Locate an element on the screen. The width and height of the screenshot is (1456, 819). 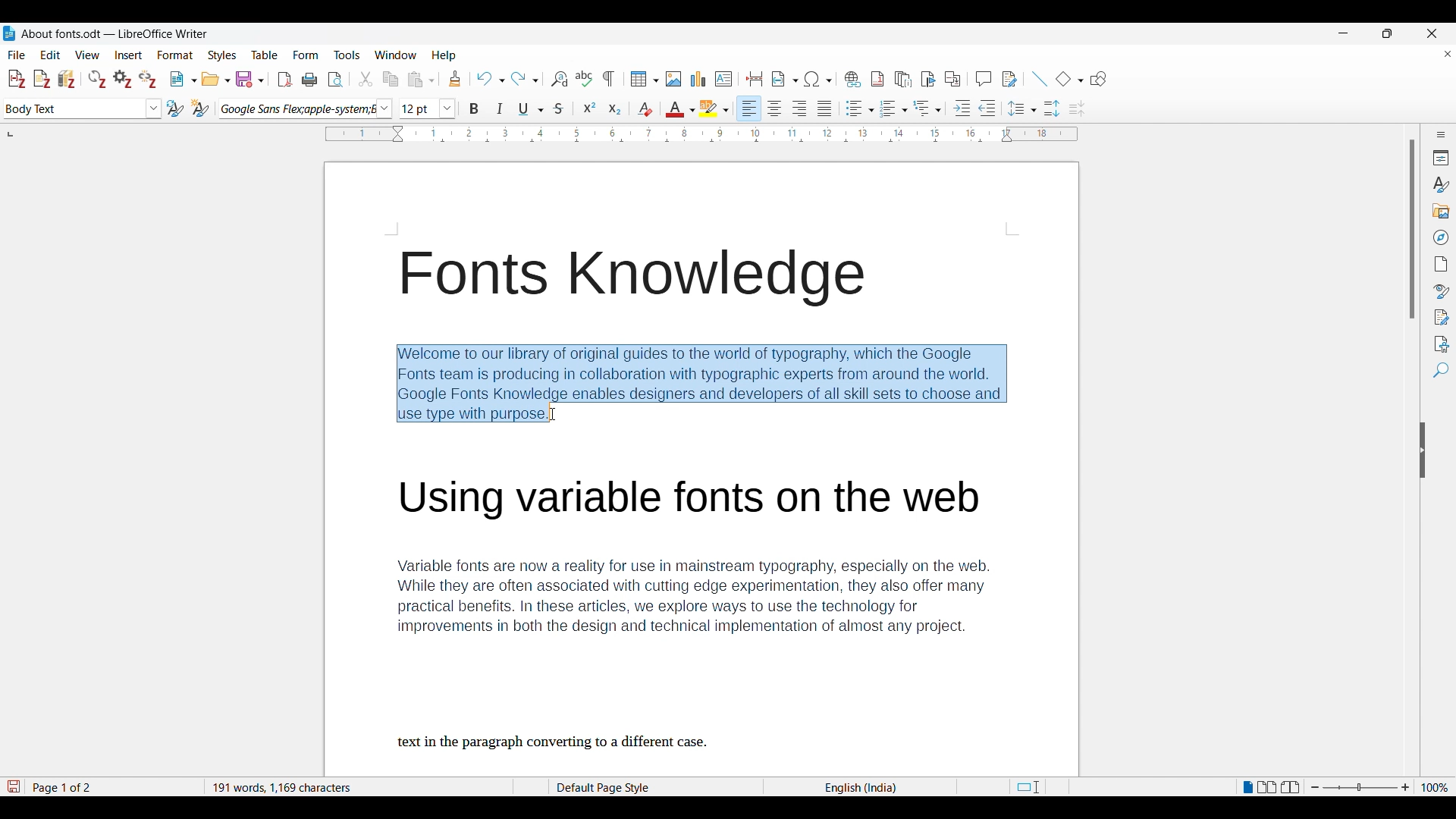
Copy is located at coordinates (390, 79).